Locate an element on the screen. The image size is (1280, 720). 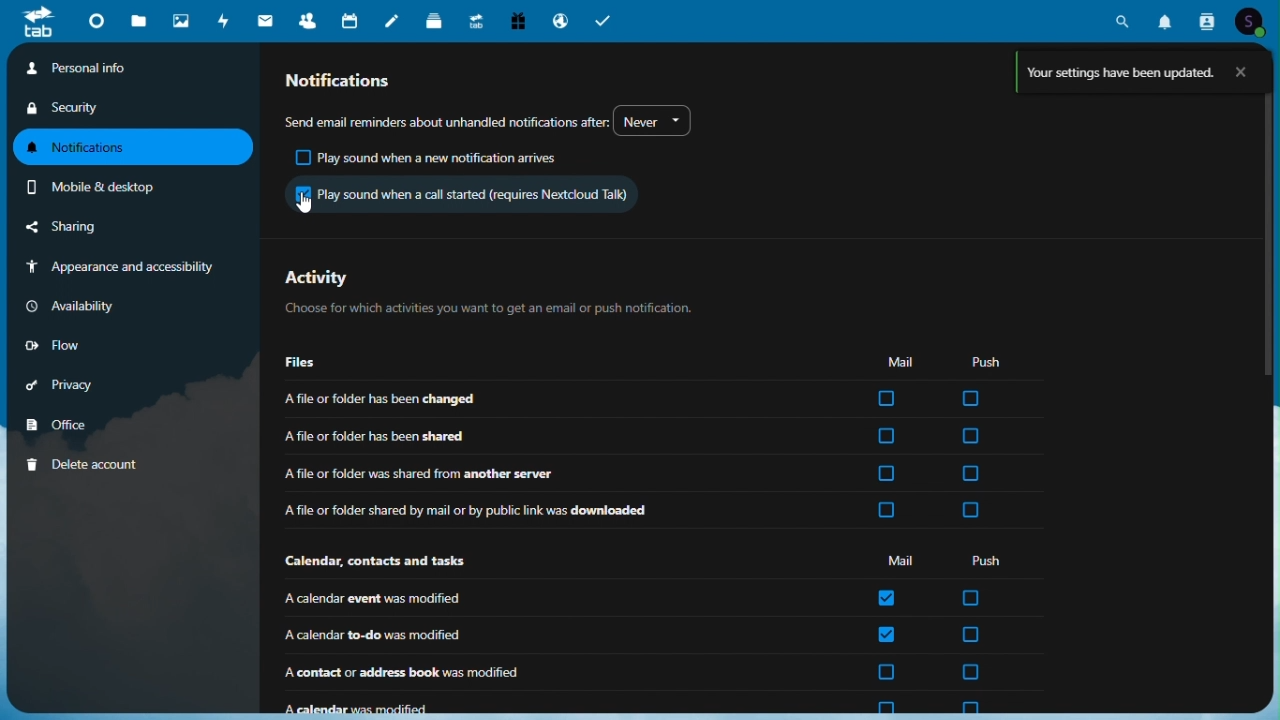
check box is located at coordinates (968, 510).